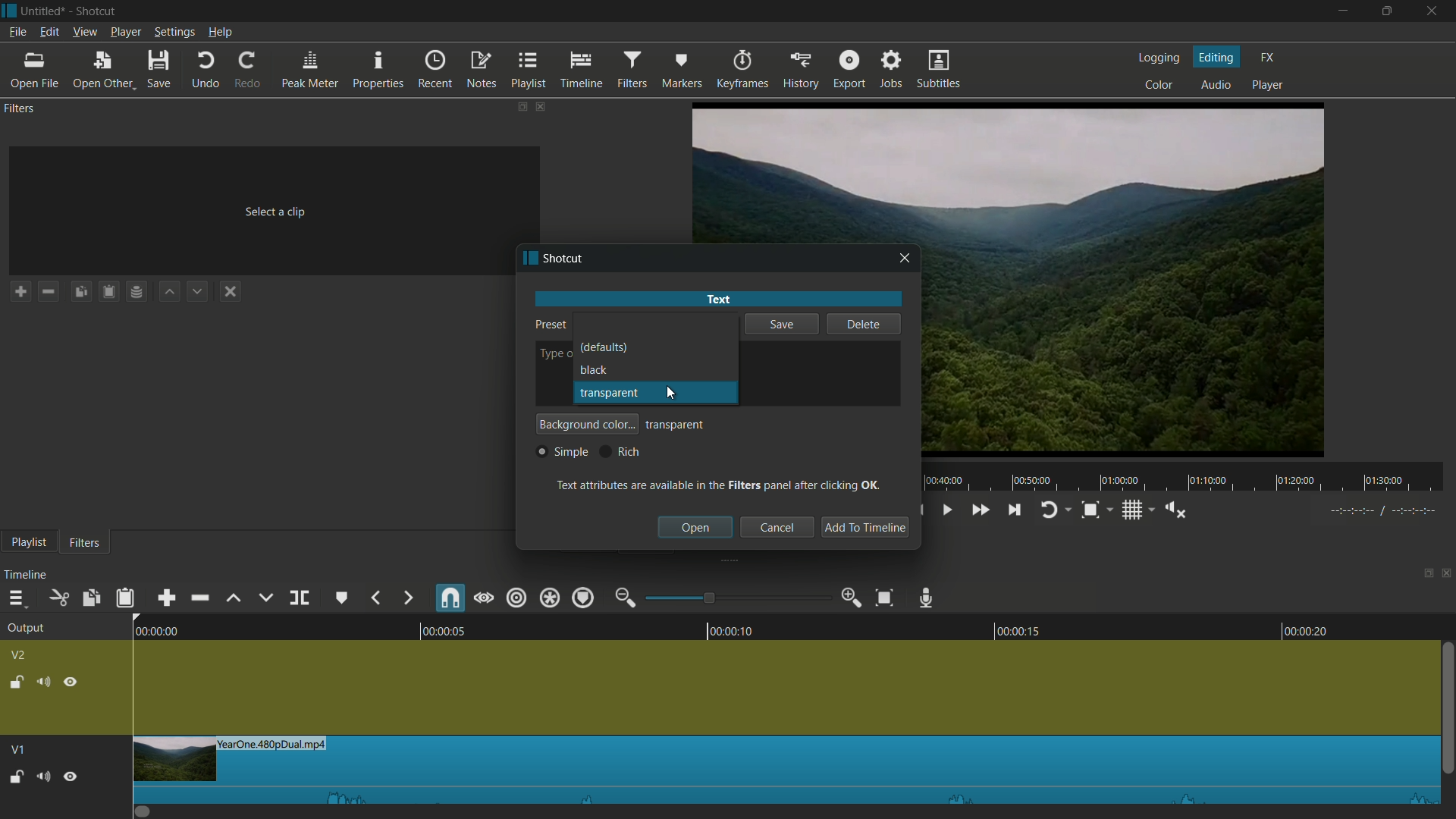 The width and height of the screenshot is (1456, 819). Describe the element at coordinates (49, 32) in the screenshot. I see `edit menu` at that location.